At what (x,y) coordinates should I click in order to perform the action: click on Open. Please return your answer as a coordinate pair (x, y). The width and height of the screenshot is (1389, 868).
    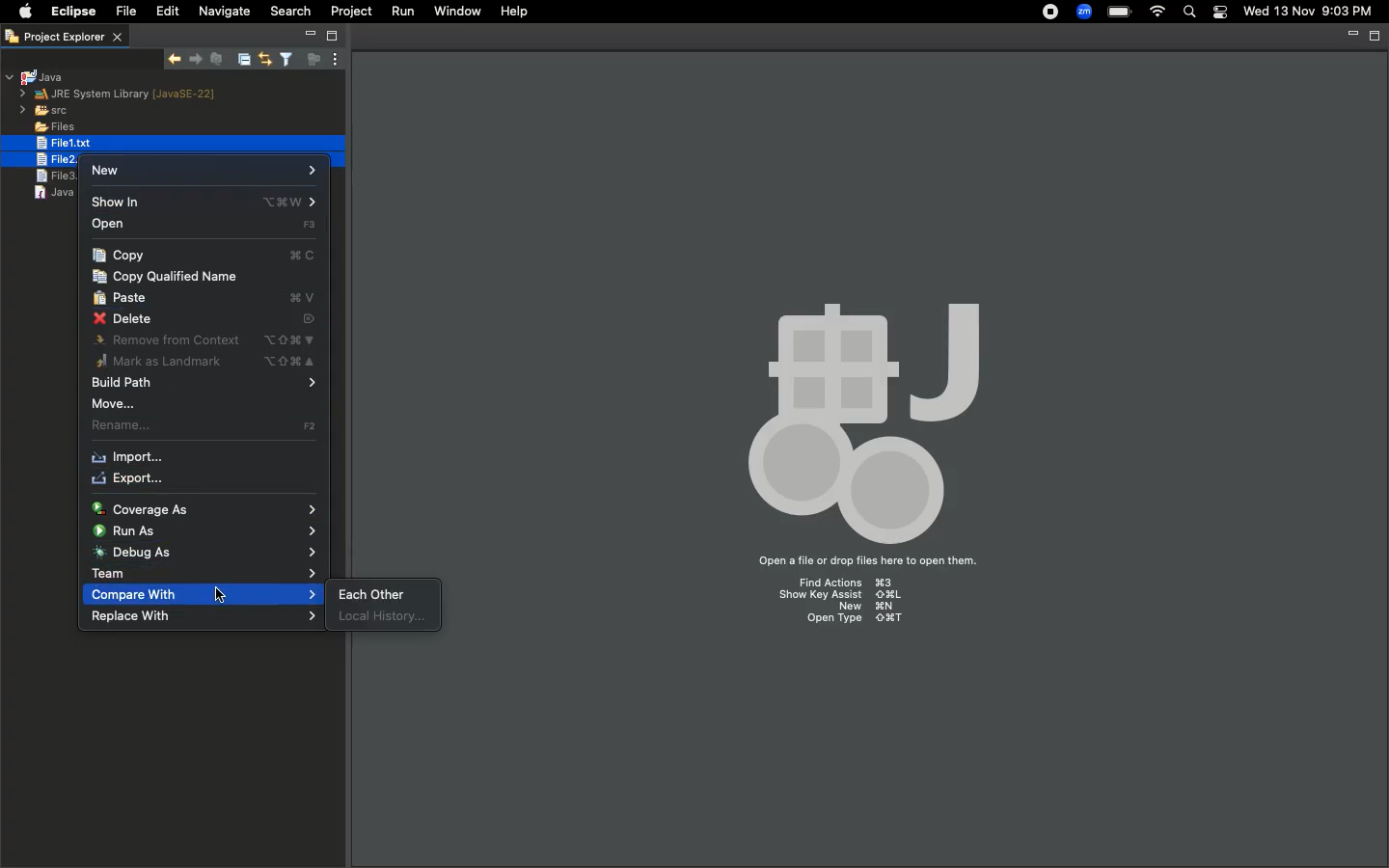
    Looking at the image, I should click on (206, 224).